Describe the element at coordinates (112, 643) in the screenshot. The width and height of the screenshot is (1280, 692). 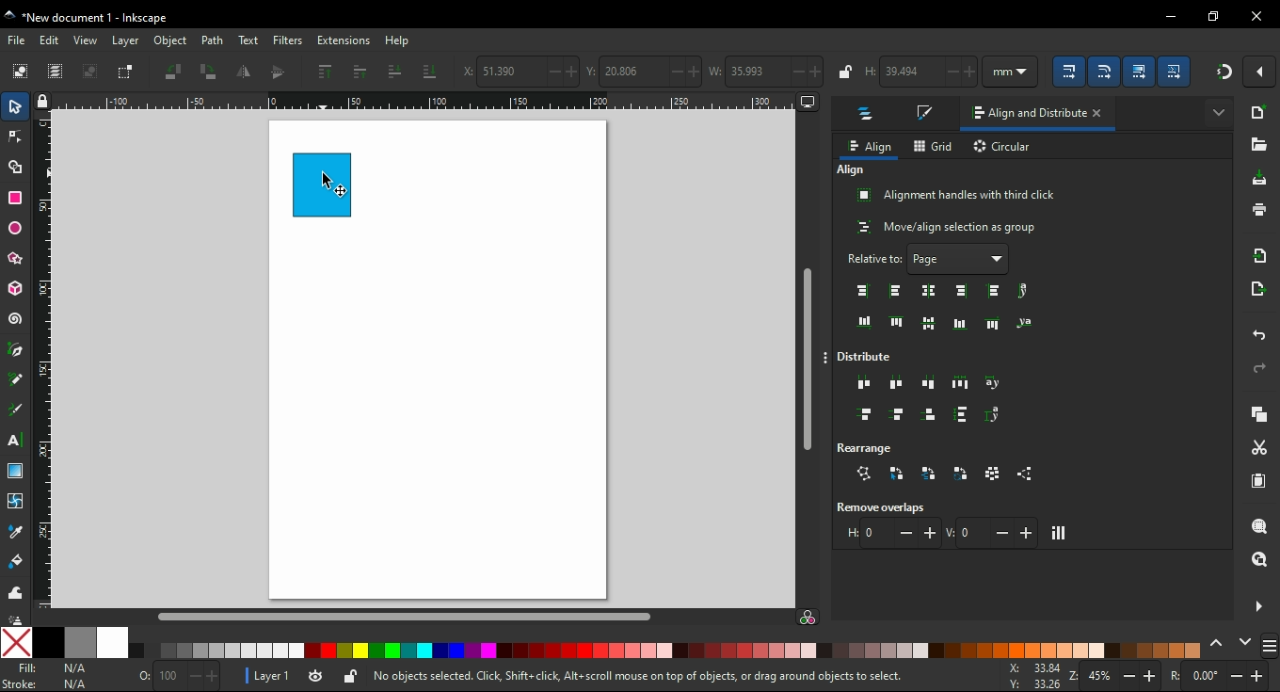
I see `white` at that location.